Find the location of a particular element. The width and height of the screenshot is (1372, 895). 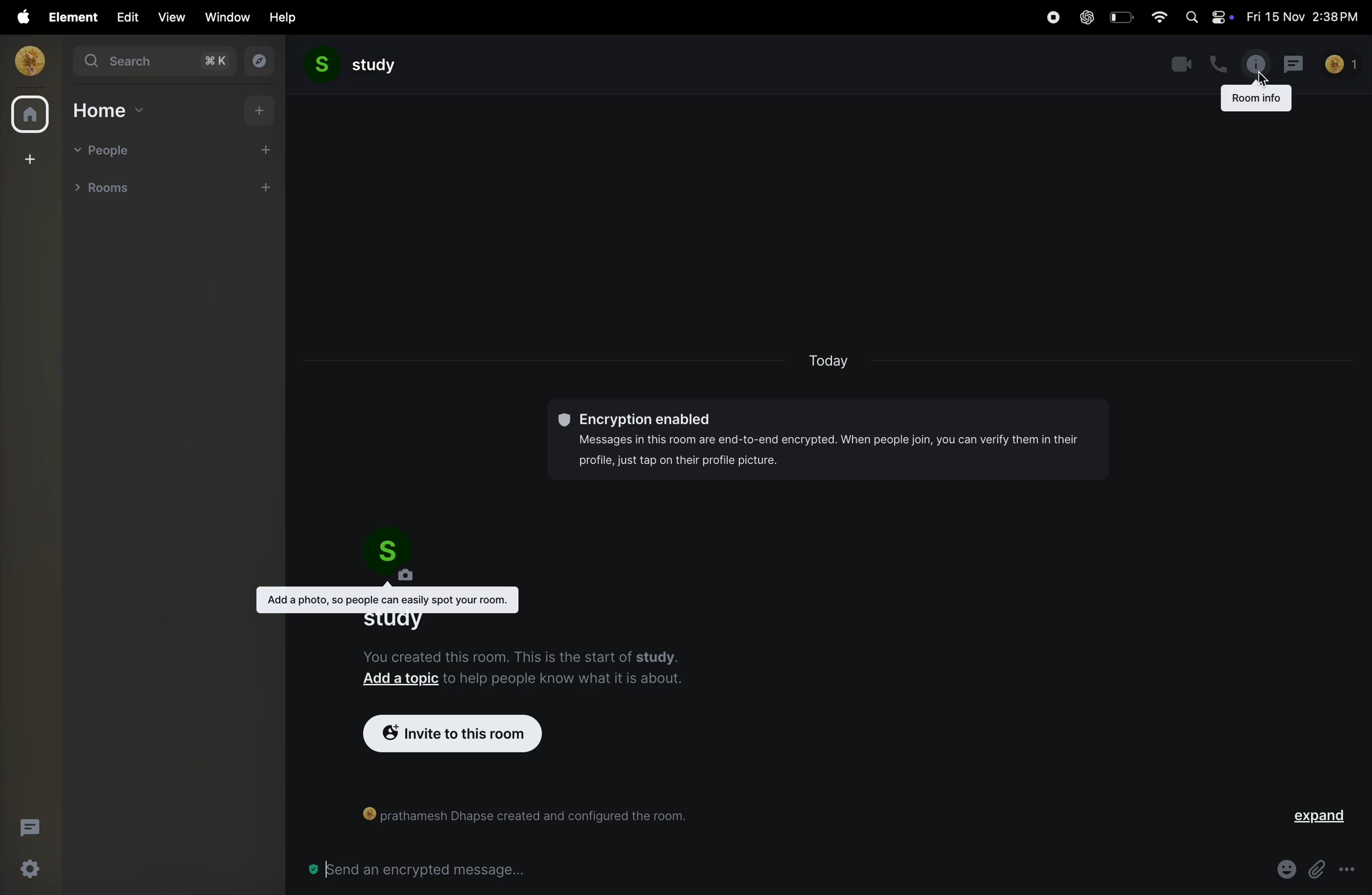

study is located at coordinates (352, 66).